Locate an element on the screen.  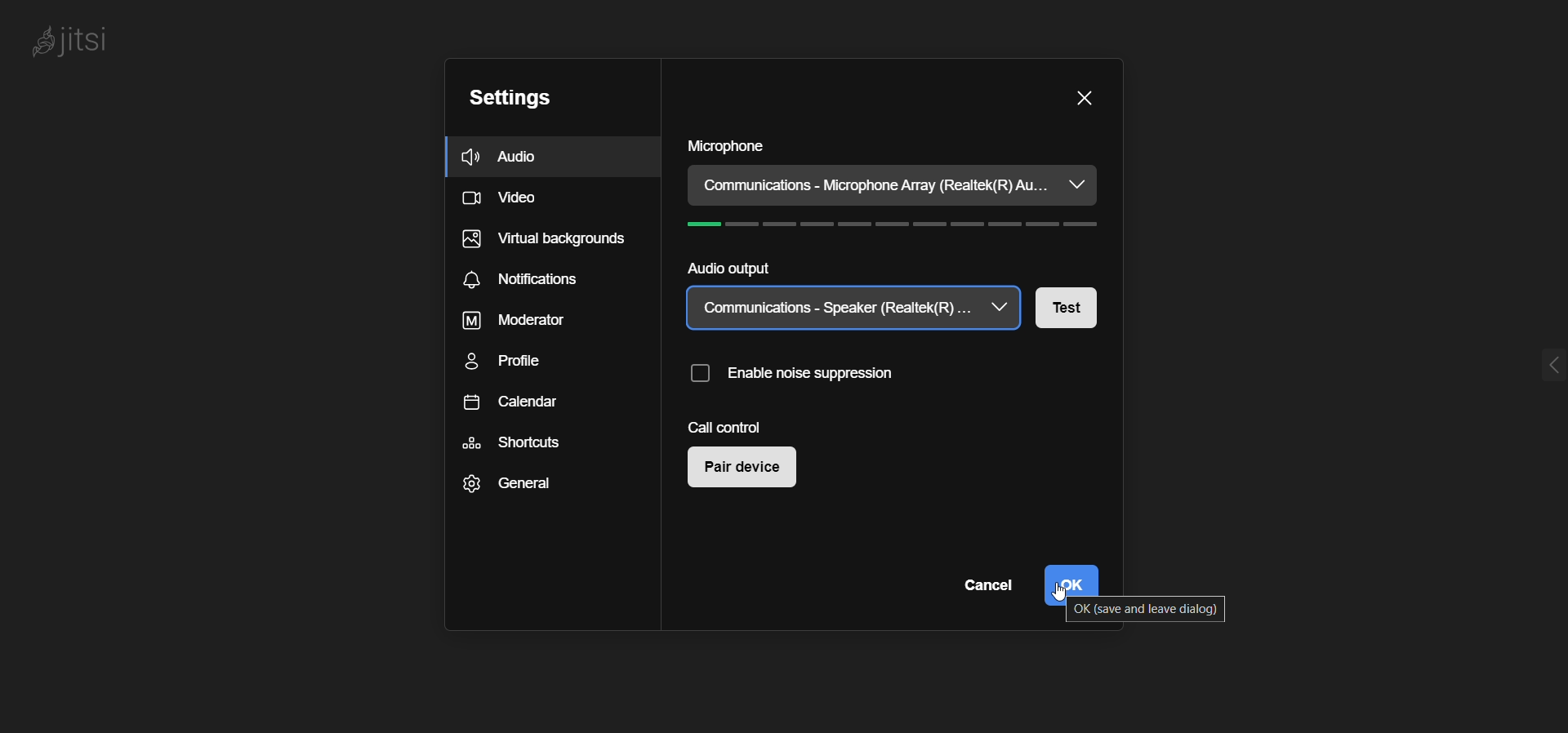
audio output is located at coordinates (725, 269).